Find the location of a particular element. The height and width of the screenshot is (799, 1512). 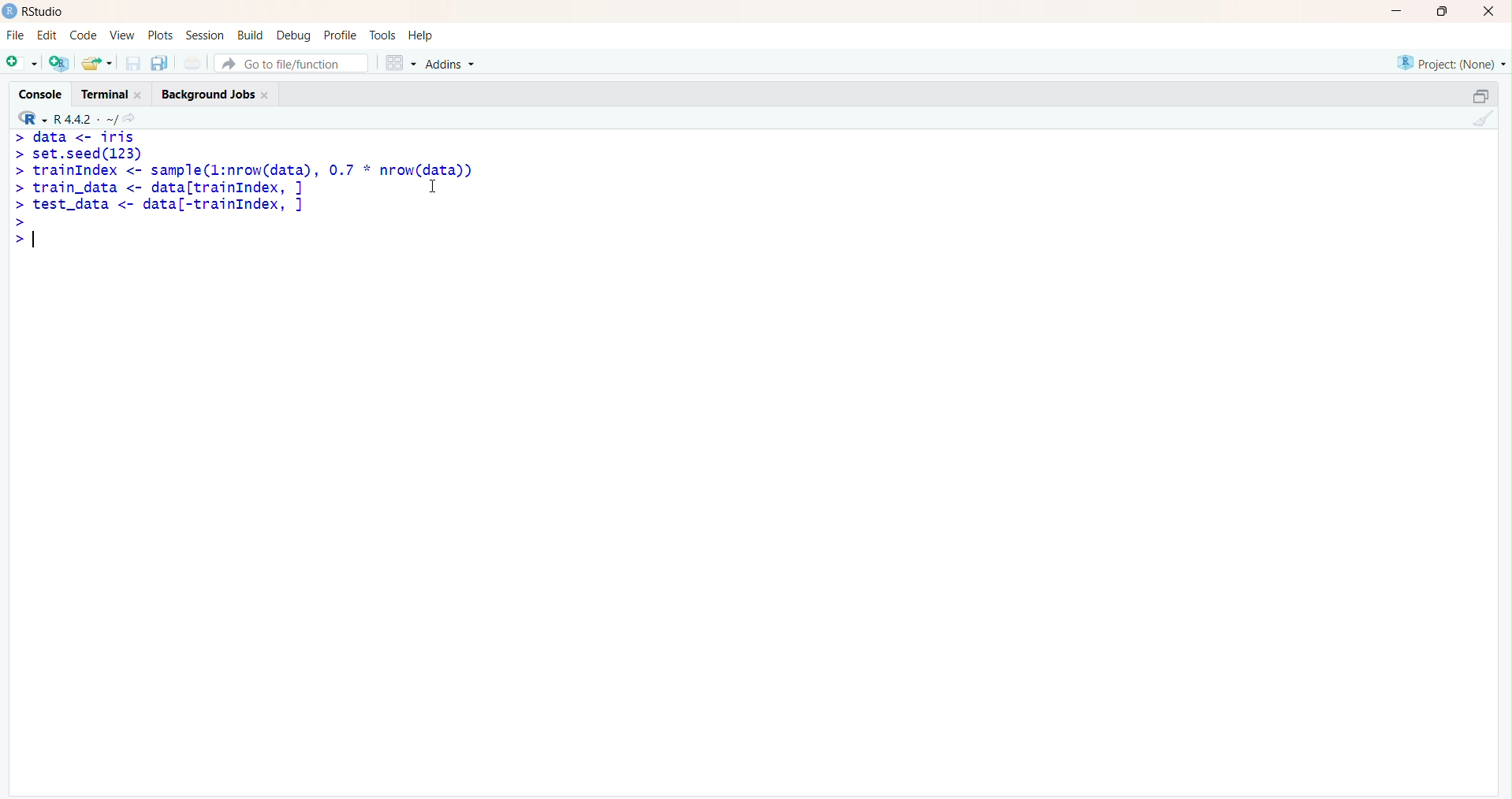

Prompt cursor is located at coordinates (19, 188).